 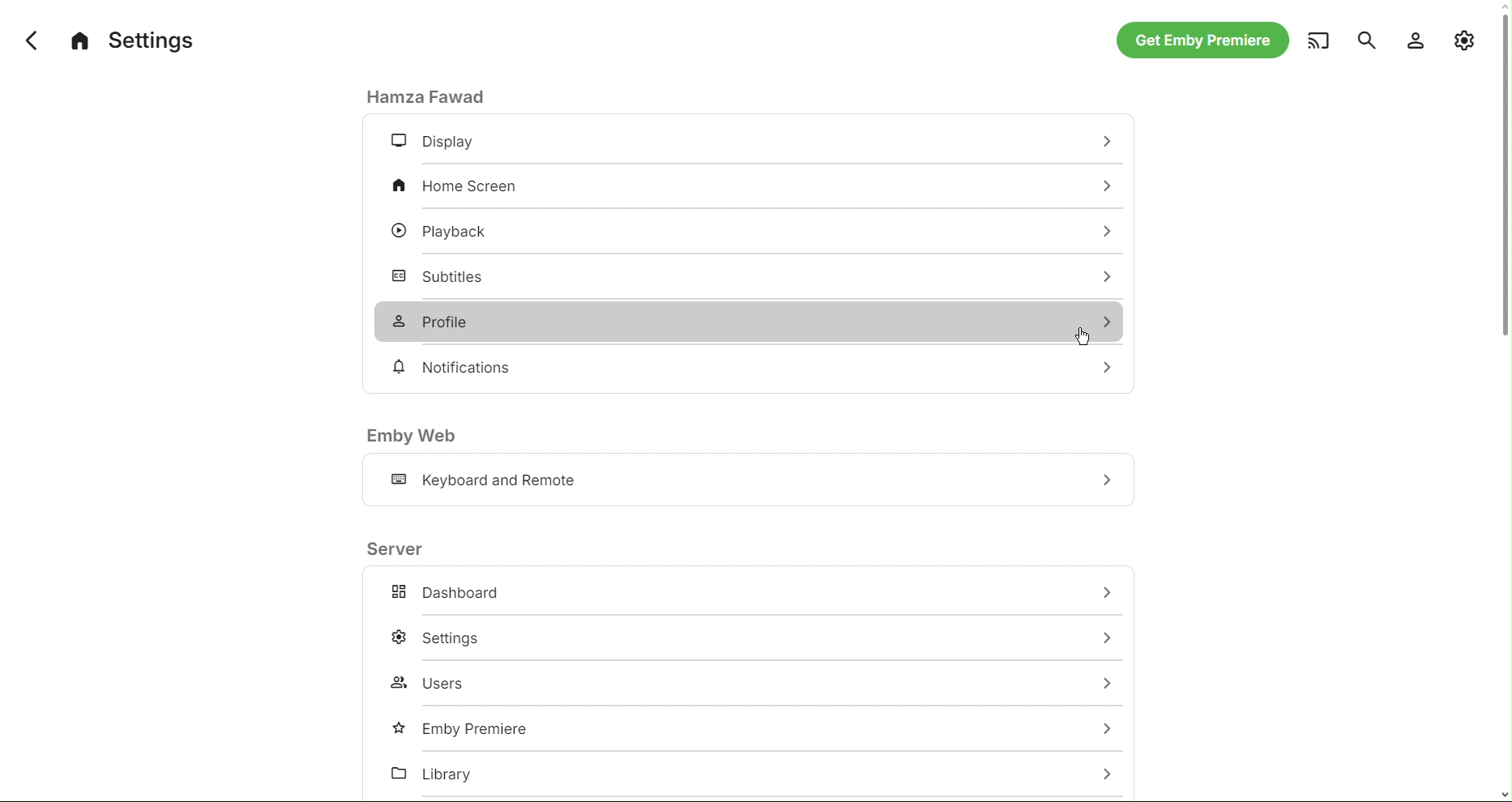 What do you see at coordinates (1081, 335) in the screenshot?
I see `Cursor` at bounding box center [1081, 335].